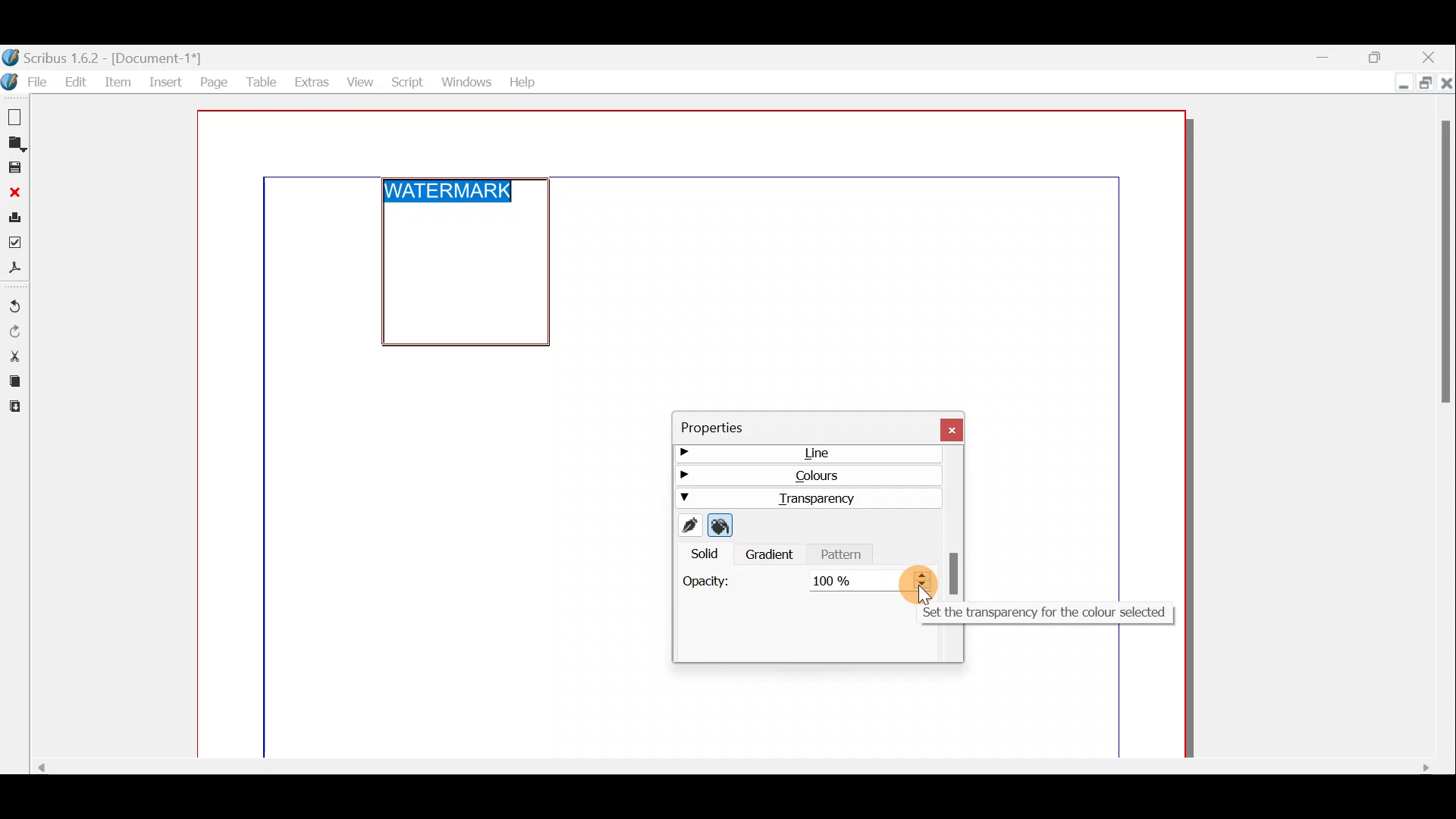 Image resolution: width=1456 pixels, height=819 pixels. What do you see at coordinates (522, 80) in the screenshot?
I see `Help` at bounding box center [522, 80].